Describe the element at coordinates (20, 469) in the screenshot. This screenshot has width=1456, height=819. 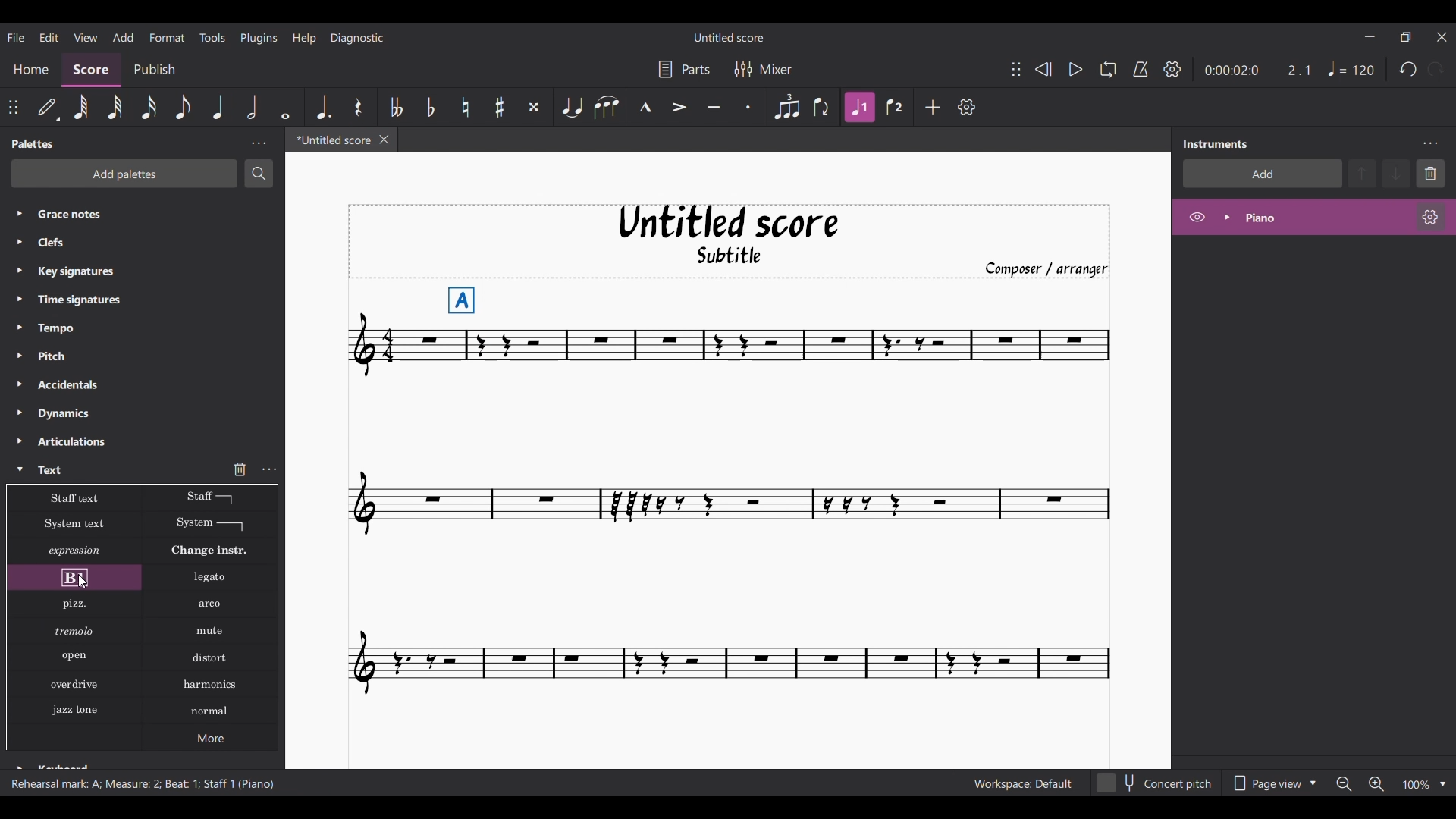
I see `Collapse Text palette` at that location.